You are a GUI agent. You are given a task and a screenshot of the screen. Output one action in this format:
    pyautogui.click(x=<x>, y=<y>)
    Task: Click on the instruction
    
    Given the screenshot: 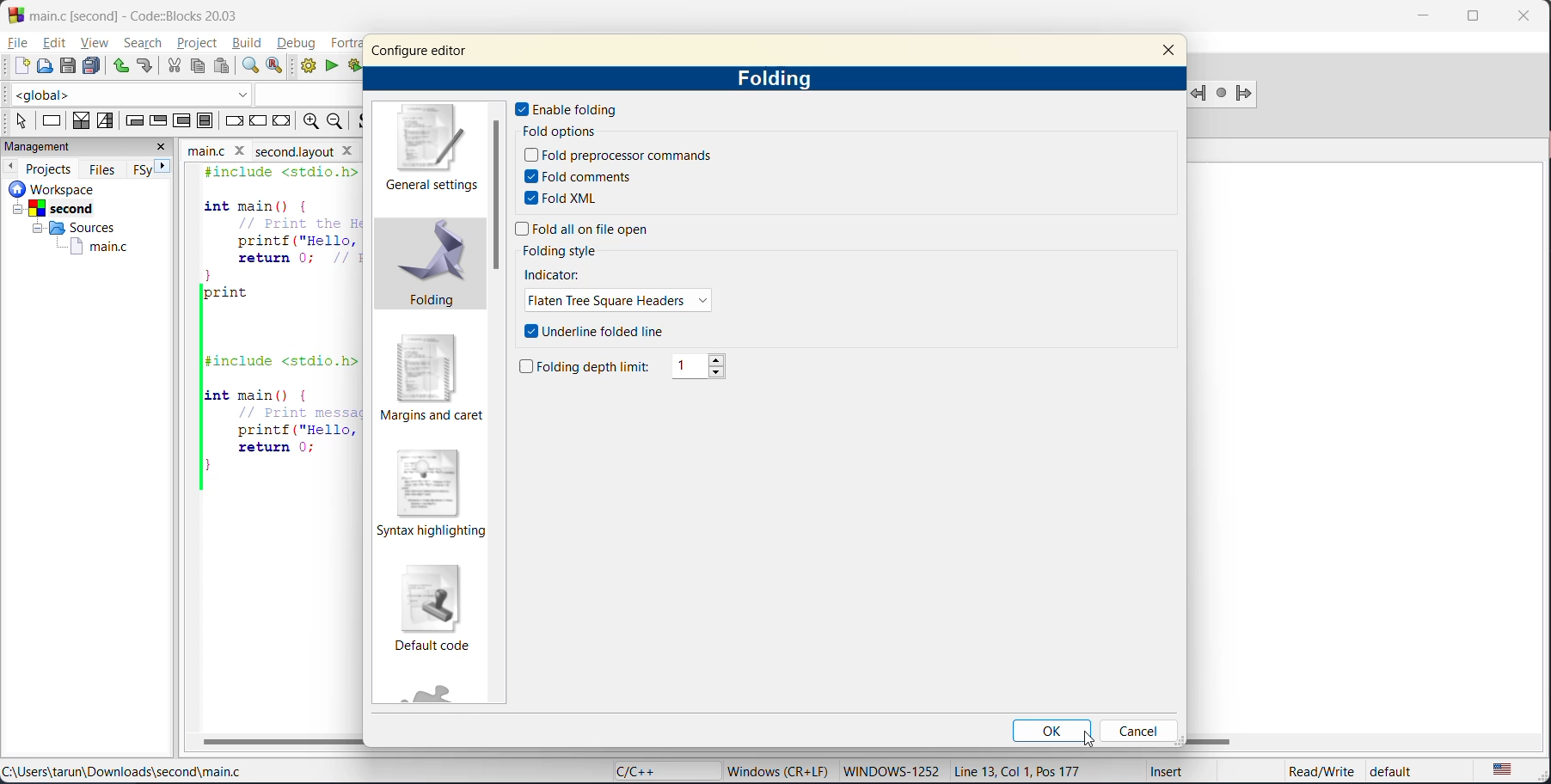 What is the action you would take?
    pyautogui.click(x=52, y=123)
    